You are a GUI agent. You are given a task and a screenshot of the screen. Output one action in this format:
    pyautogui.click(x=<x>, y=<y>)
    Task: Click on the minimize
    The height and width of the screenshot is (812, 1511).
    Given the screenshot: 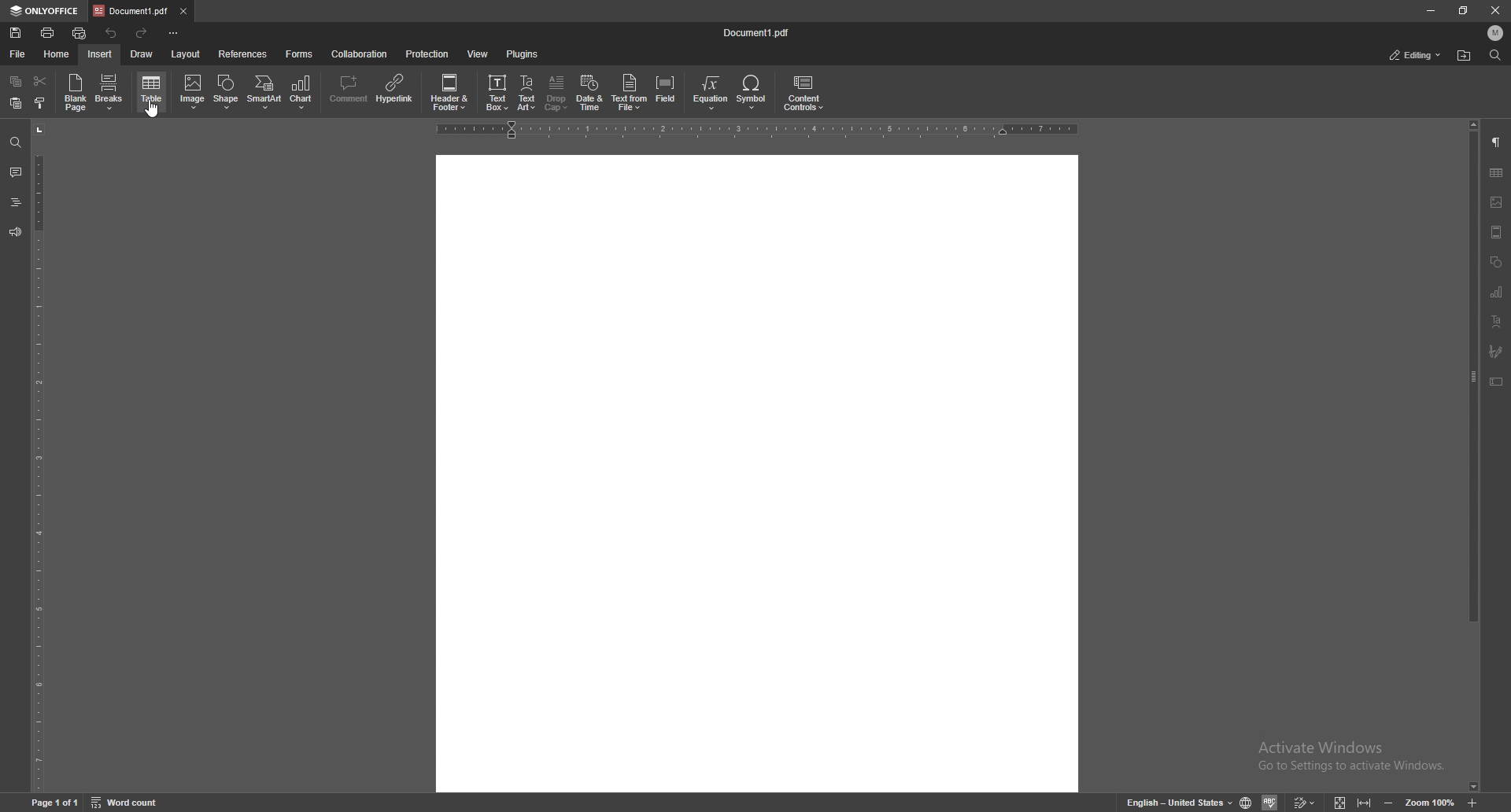 What is the action you would take?
    pyautogui.click(x=1430, y=11)
    